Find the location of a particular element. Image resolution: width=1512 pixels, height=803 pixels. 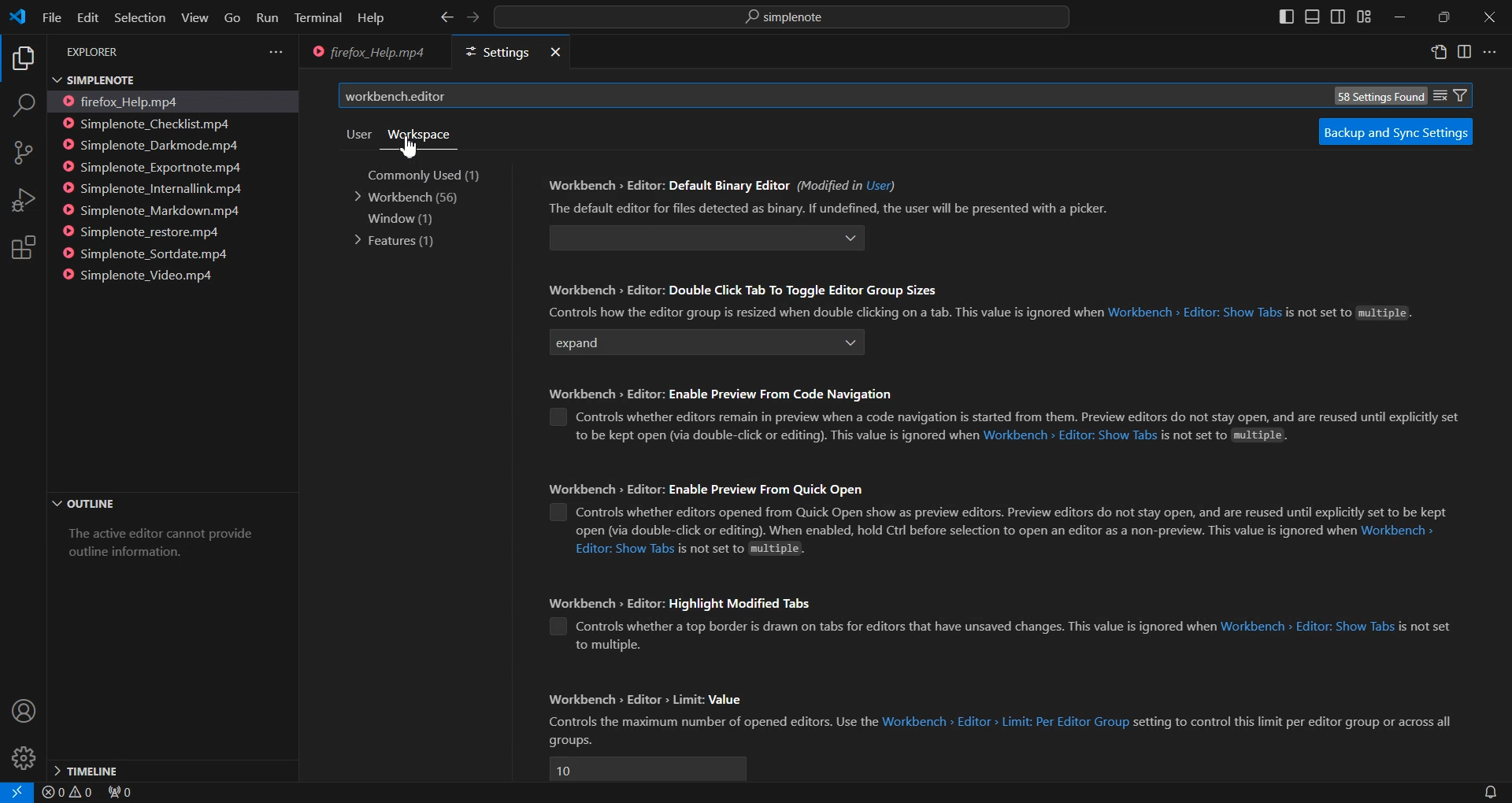

simplenote is located at coordinates (792, 19).